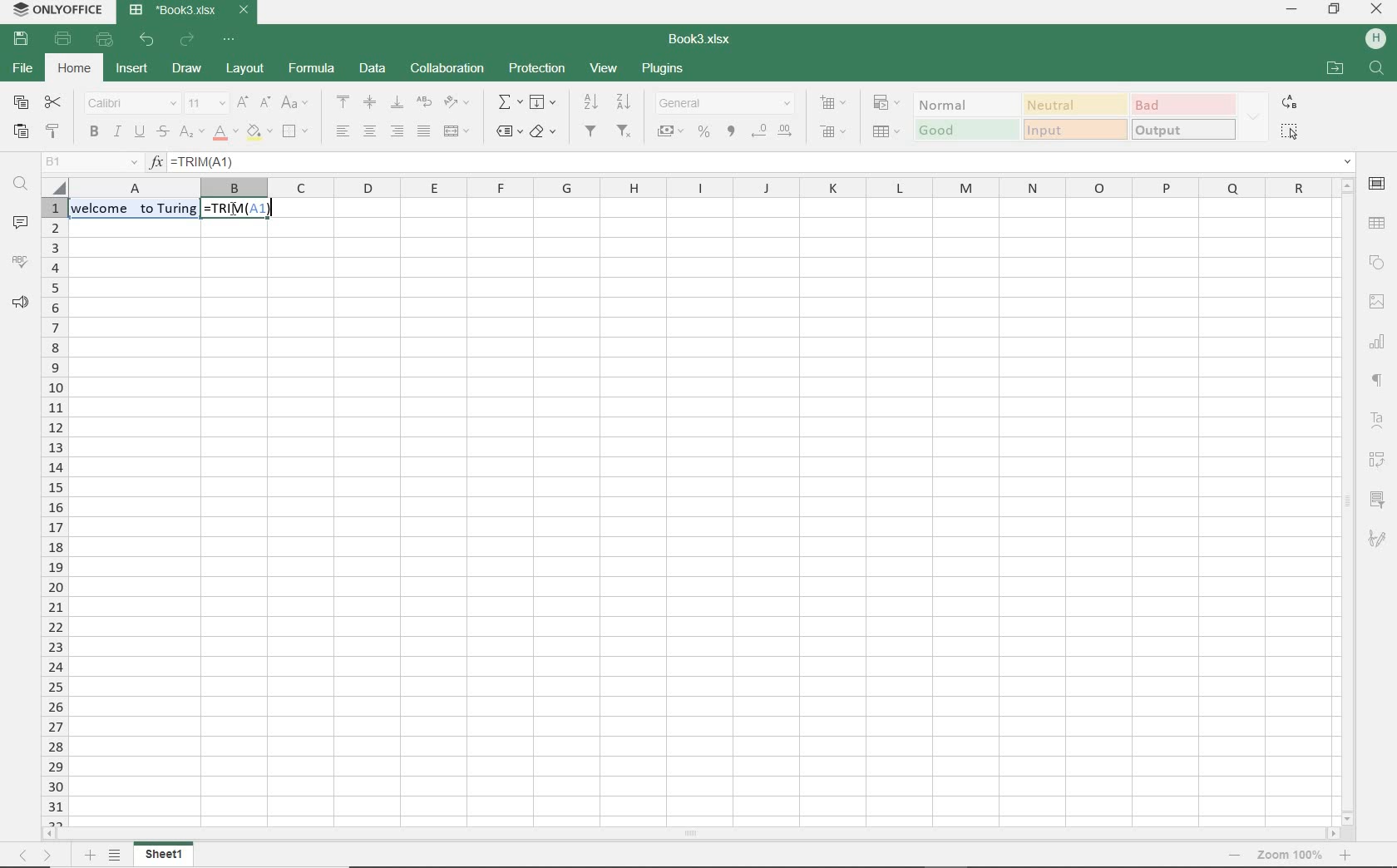 The image size is (1397, 868). What do you see at coordinates (835, 104) in the screenshot?
I see `insert cells` at bounding box center [835, 104].